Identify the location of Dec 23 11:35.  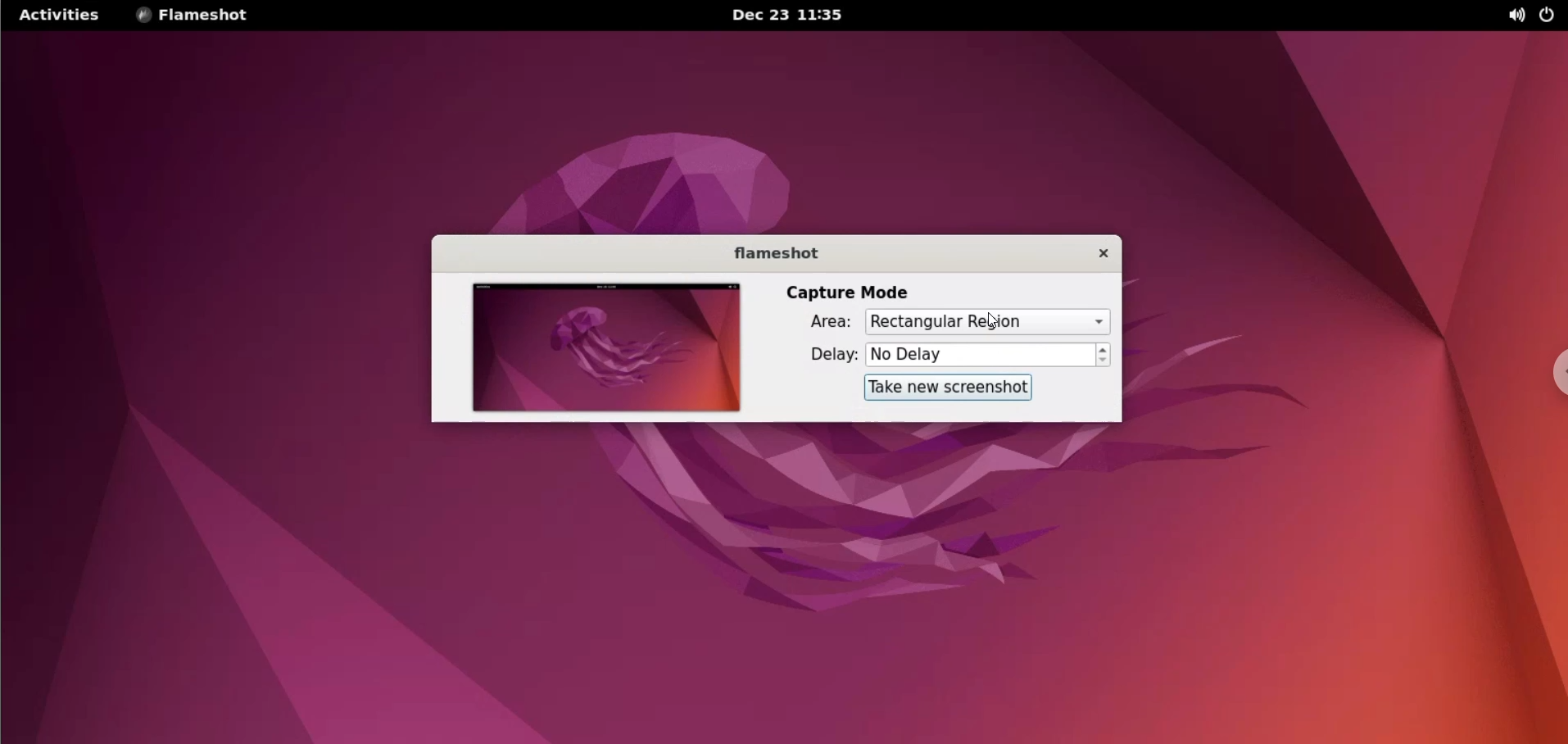
(797, 15).